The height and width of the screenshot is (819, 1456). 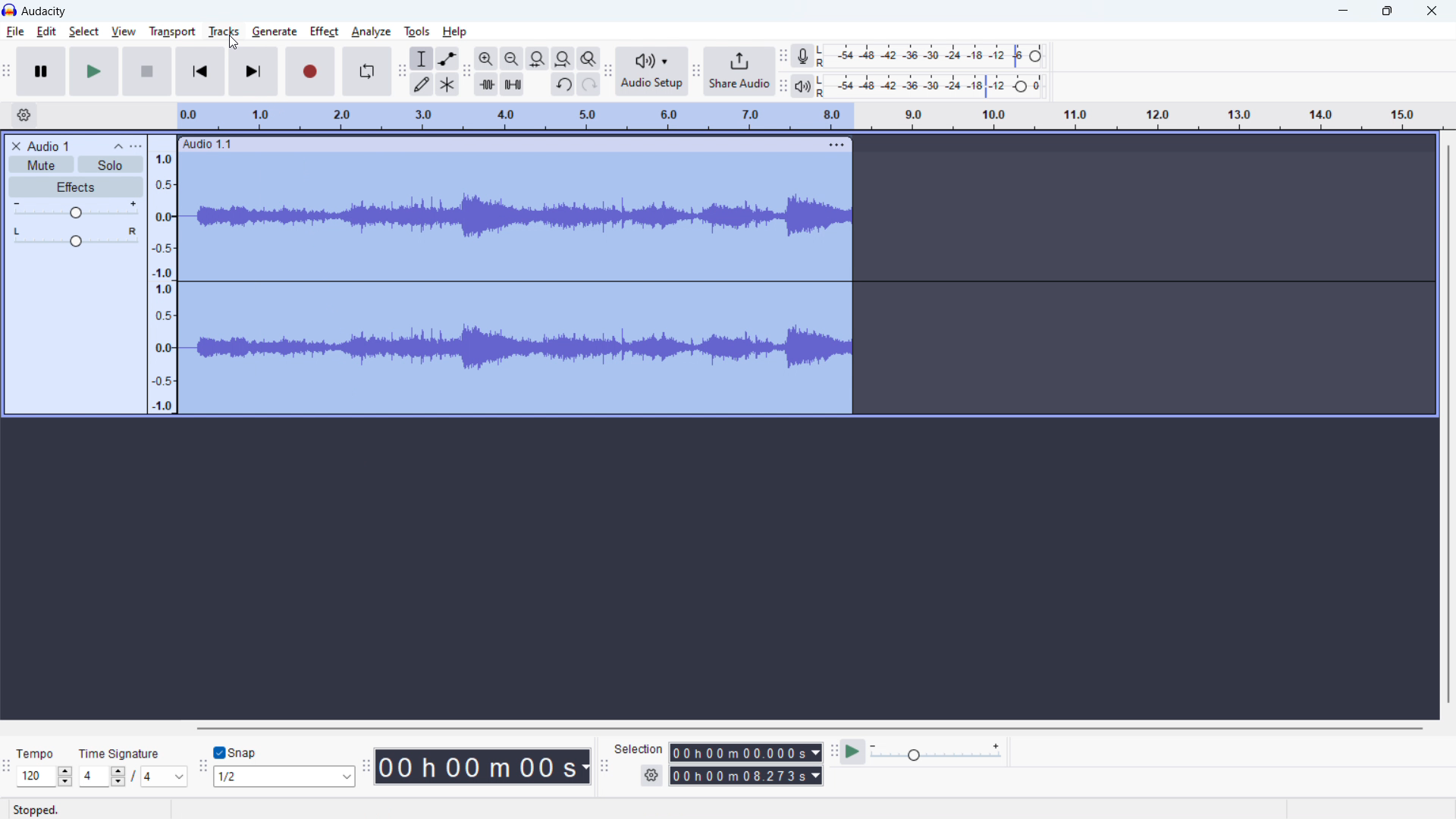 I want to click on tempo, so click(x=44, y=776).